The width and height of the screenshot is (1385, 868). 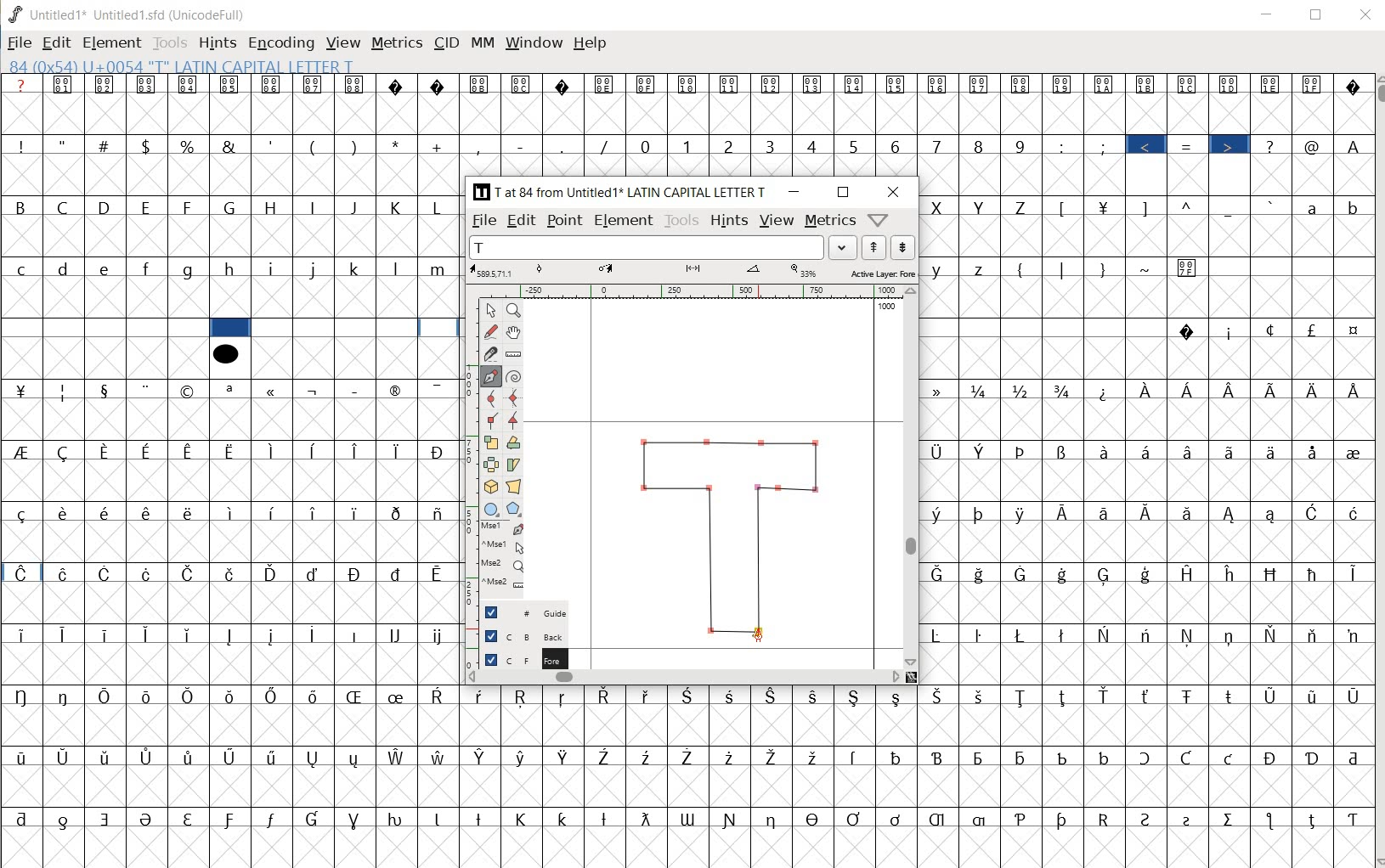 I want to click on Symbol, so click(x=605, y=85).